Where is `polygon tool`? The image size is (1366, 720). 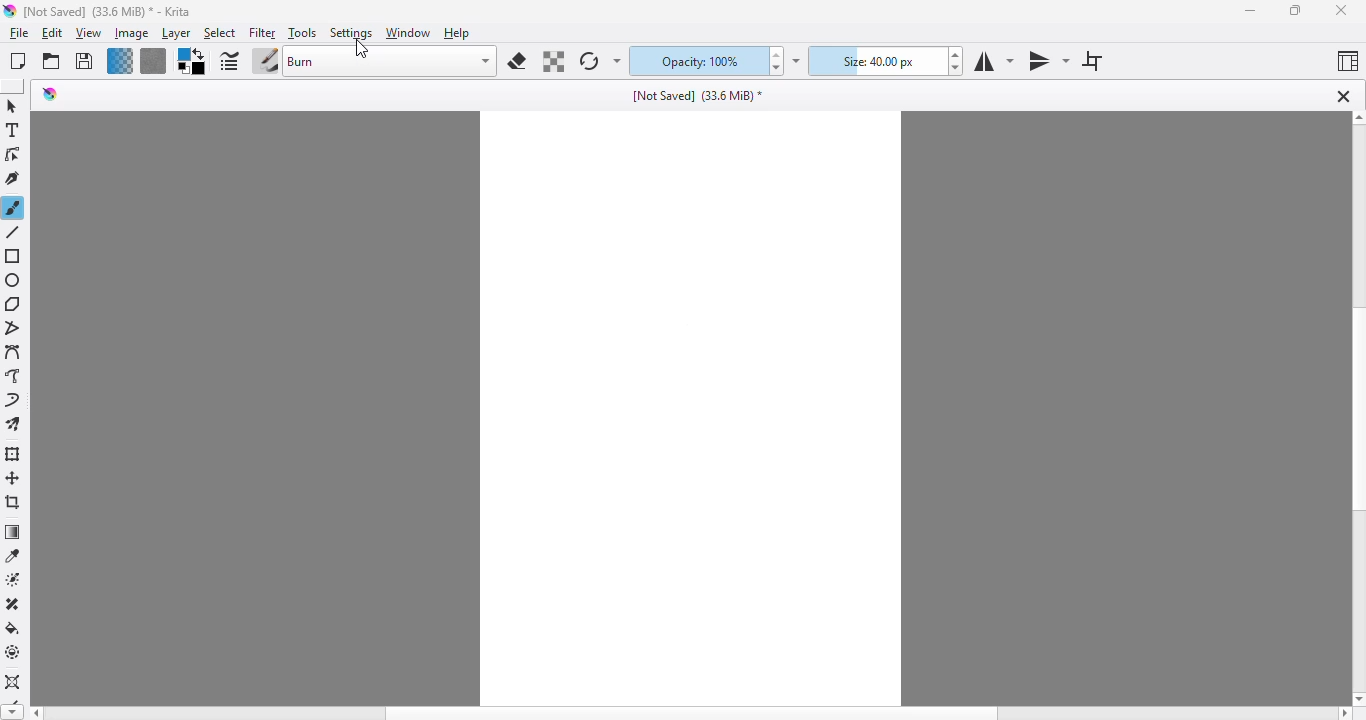 polygon tool is located at coordinates (13, 304).